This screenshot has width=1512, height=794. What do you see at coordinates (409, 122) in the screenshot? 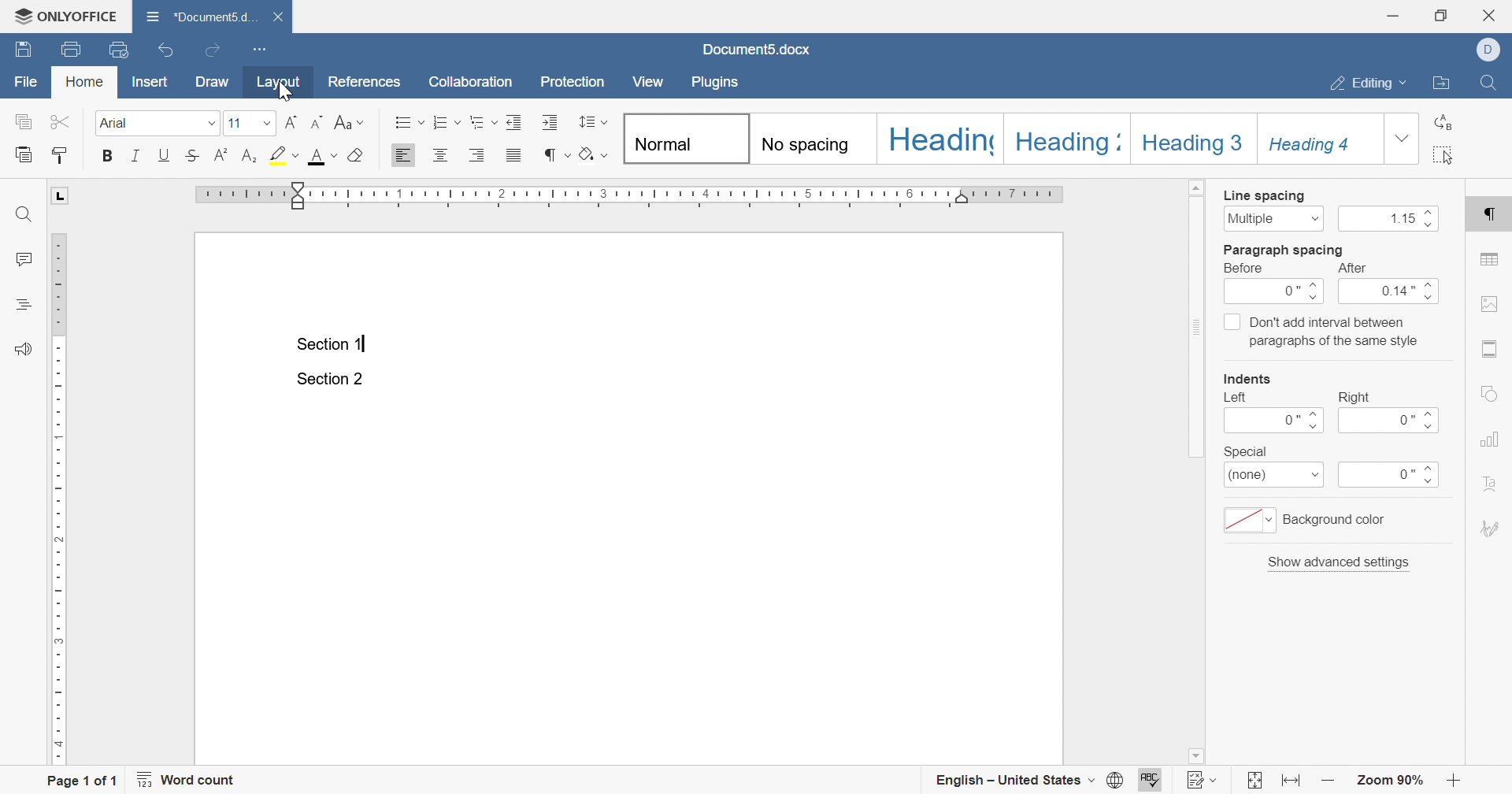
I see `bullets` at bounding box center [409, 122].